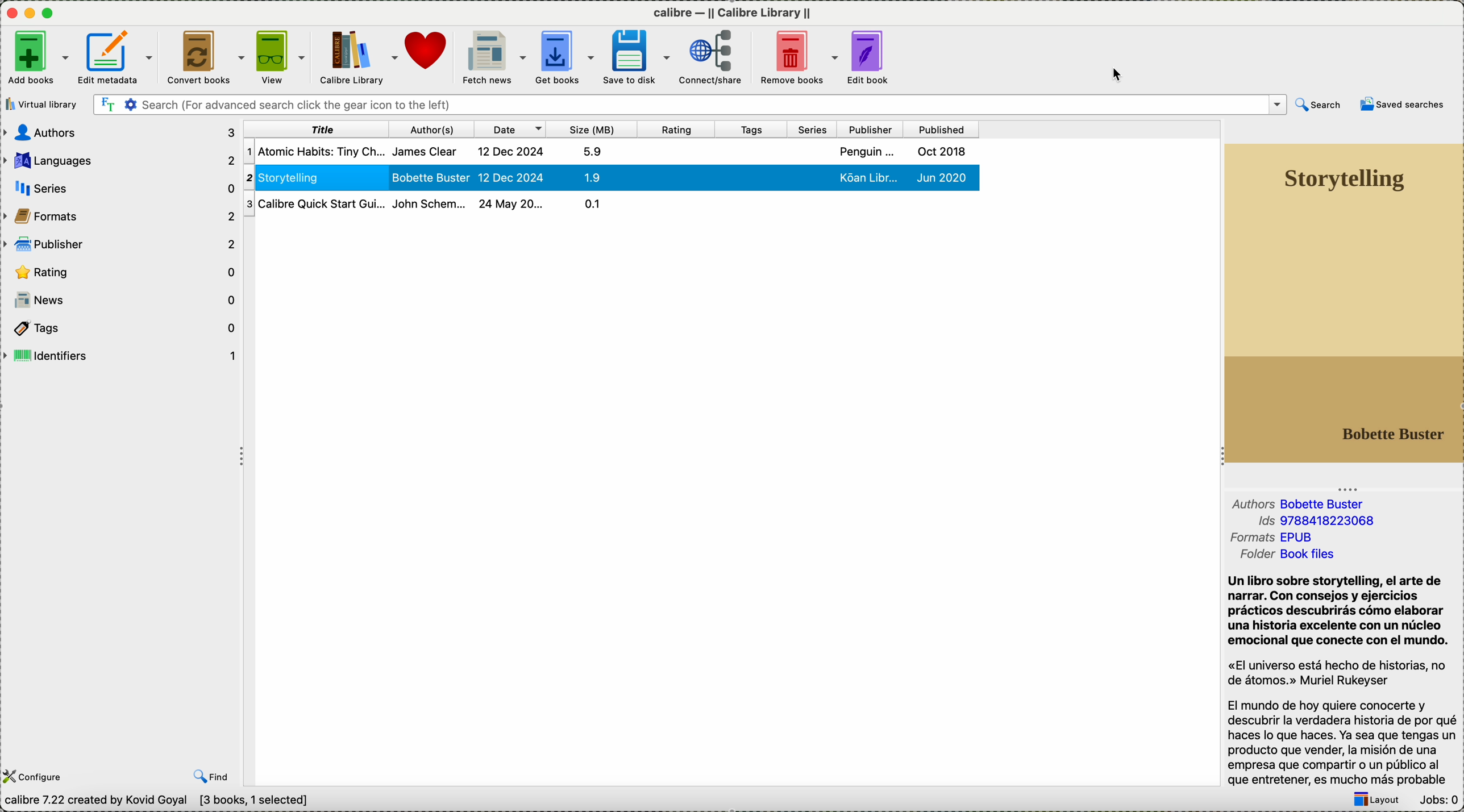 Image resolution: width=1464 pixels, height=812 pixels. Describe the element at coordinates (10, 13) in the screenshot. I see `close` at that location.